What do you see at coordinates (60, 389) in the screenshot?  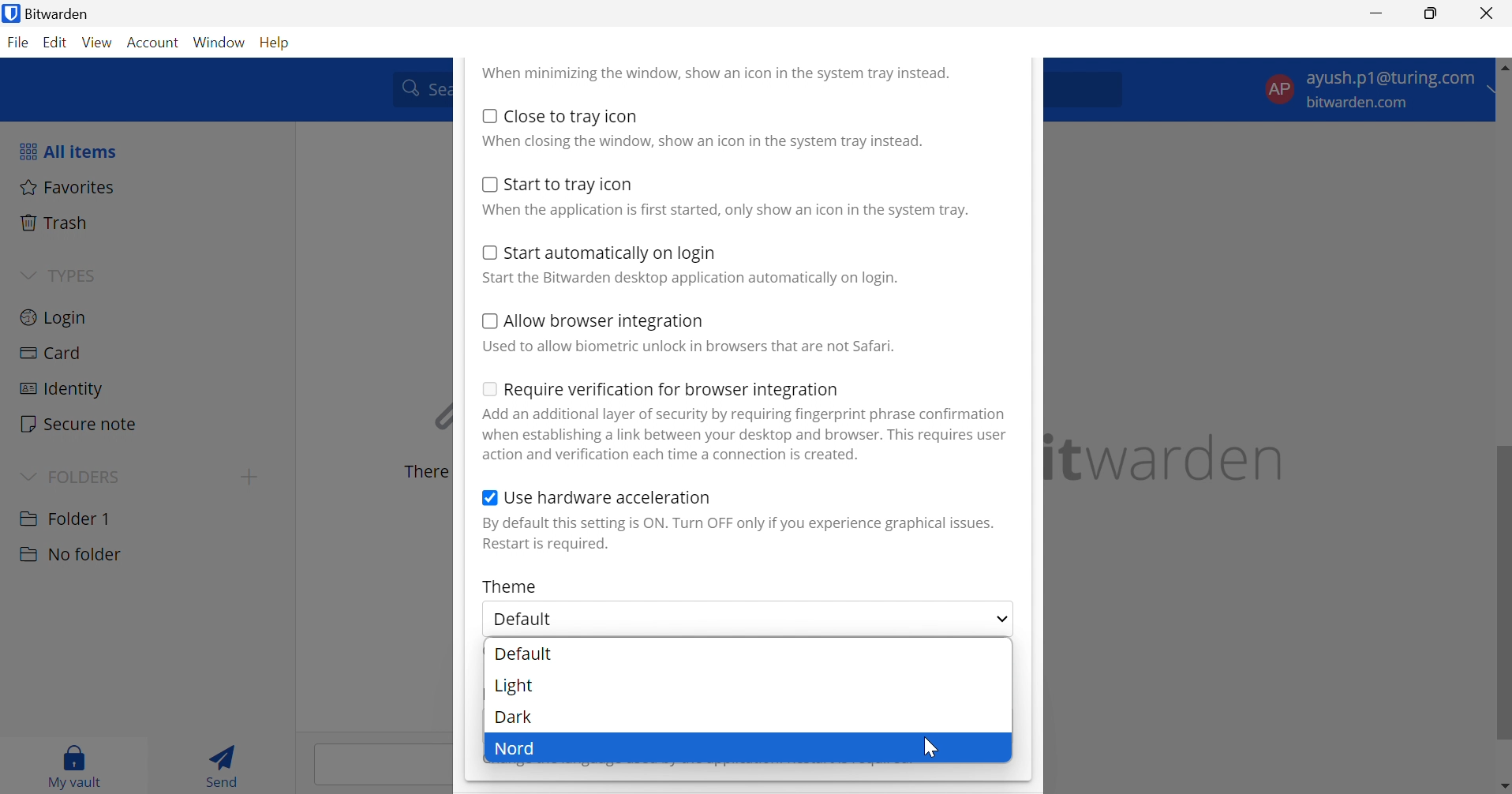 I see `Identity` at bounding box center [60, 389].